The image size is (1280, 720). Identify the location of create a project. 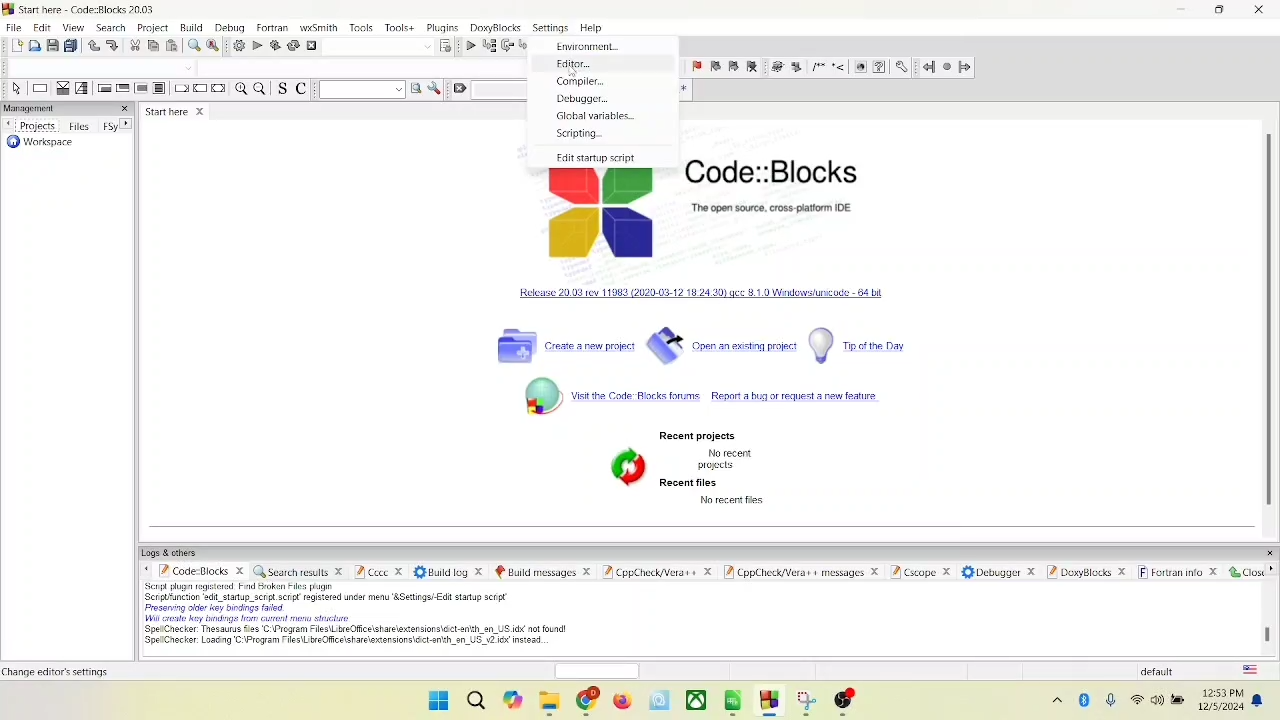
(563, 347).